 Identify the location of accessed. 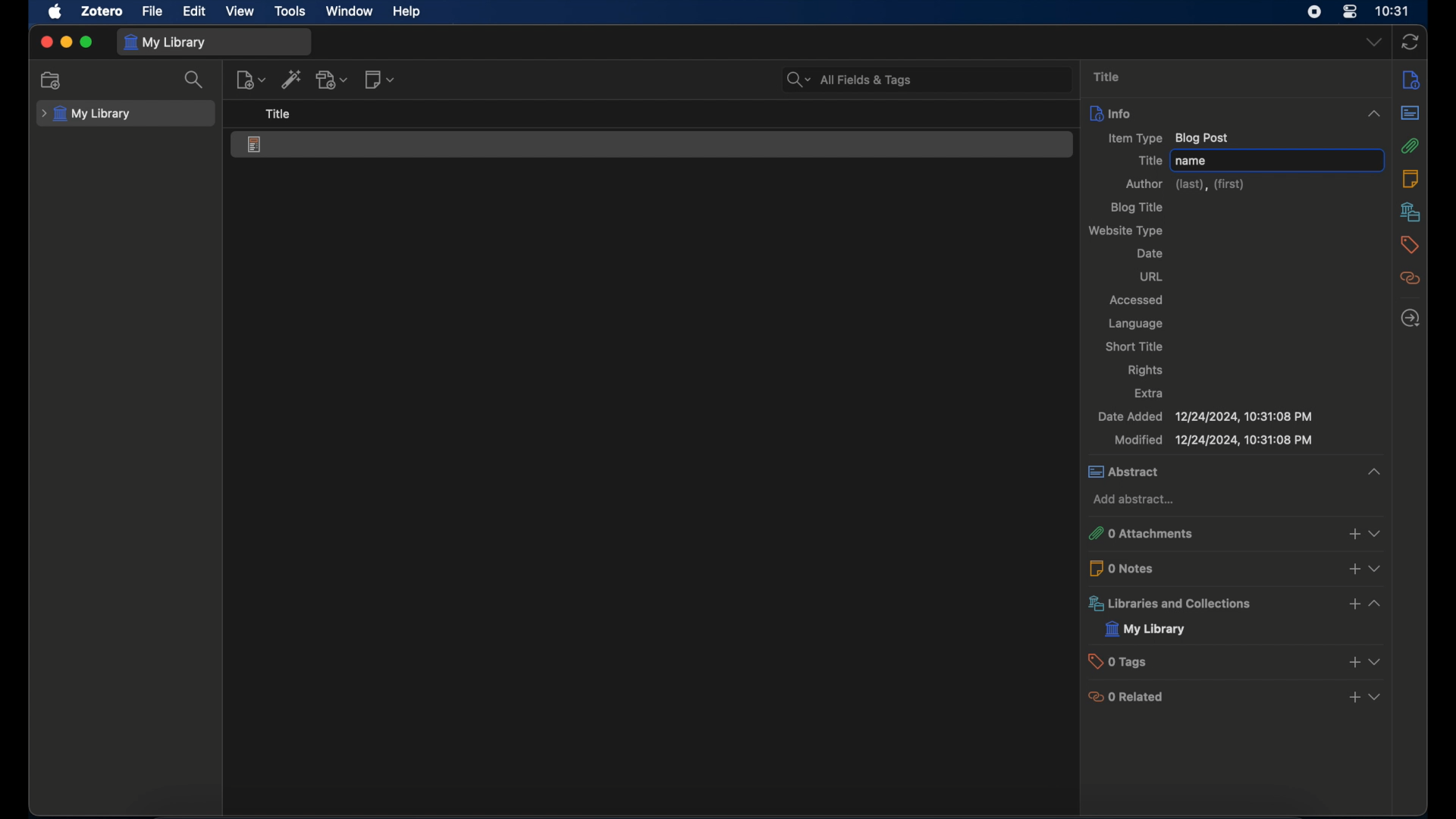
(1137, 300).